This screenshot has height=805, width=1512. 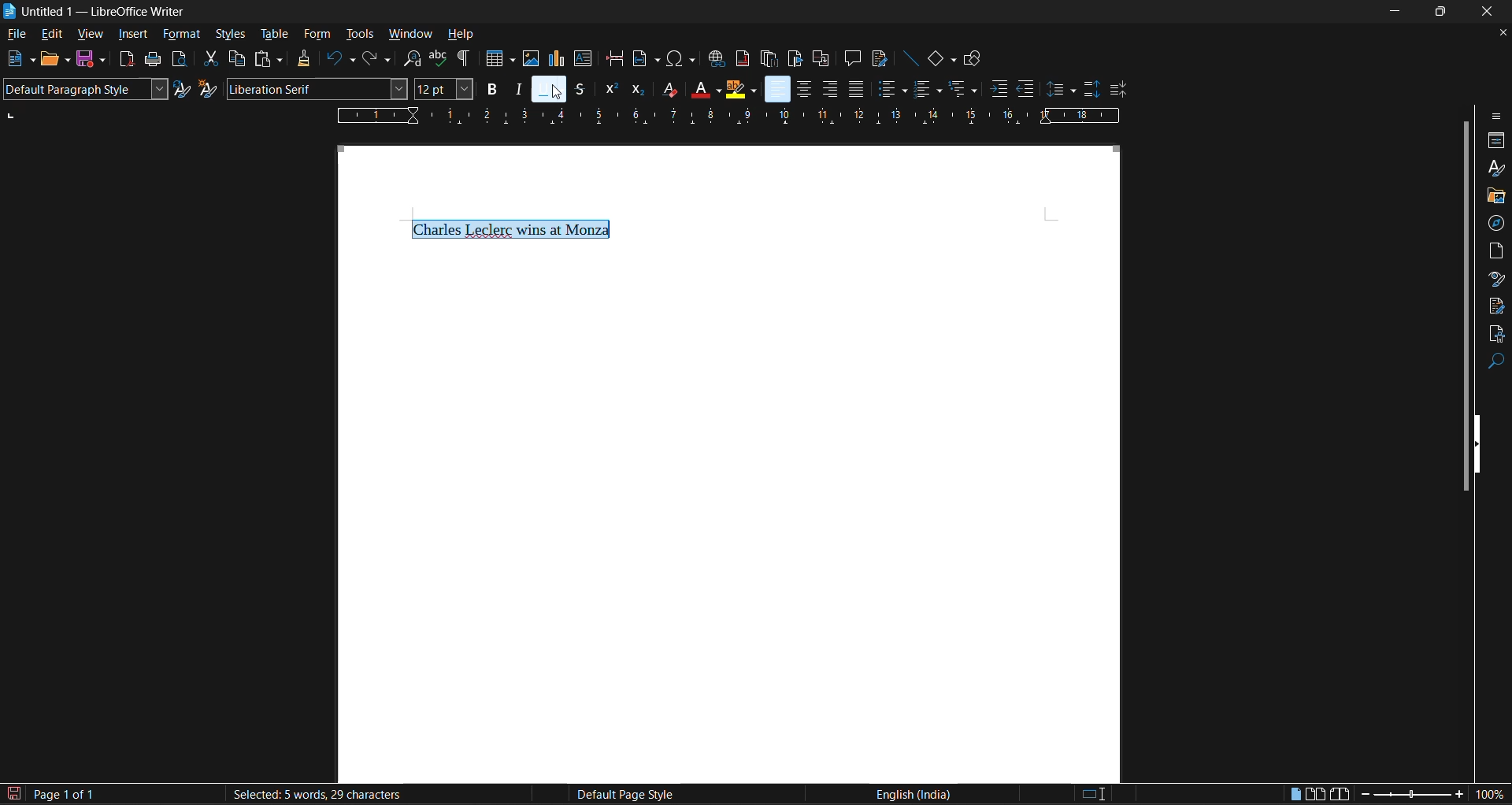 I want to click on insert page break, so click(x=614, y=58).